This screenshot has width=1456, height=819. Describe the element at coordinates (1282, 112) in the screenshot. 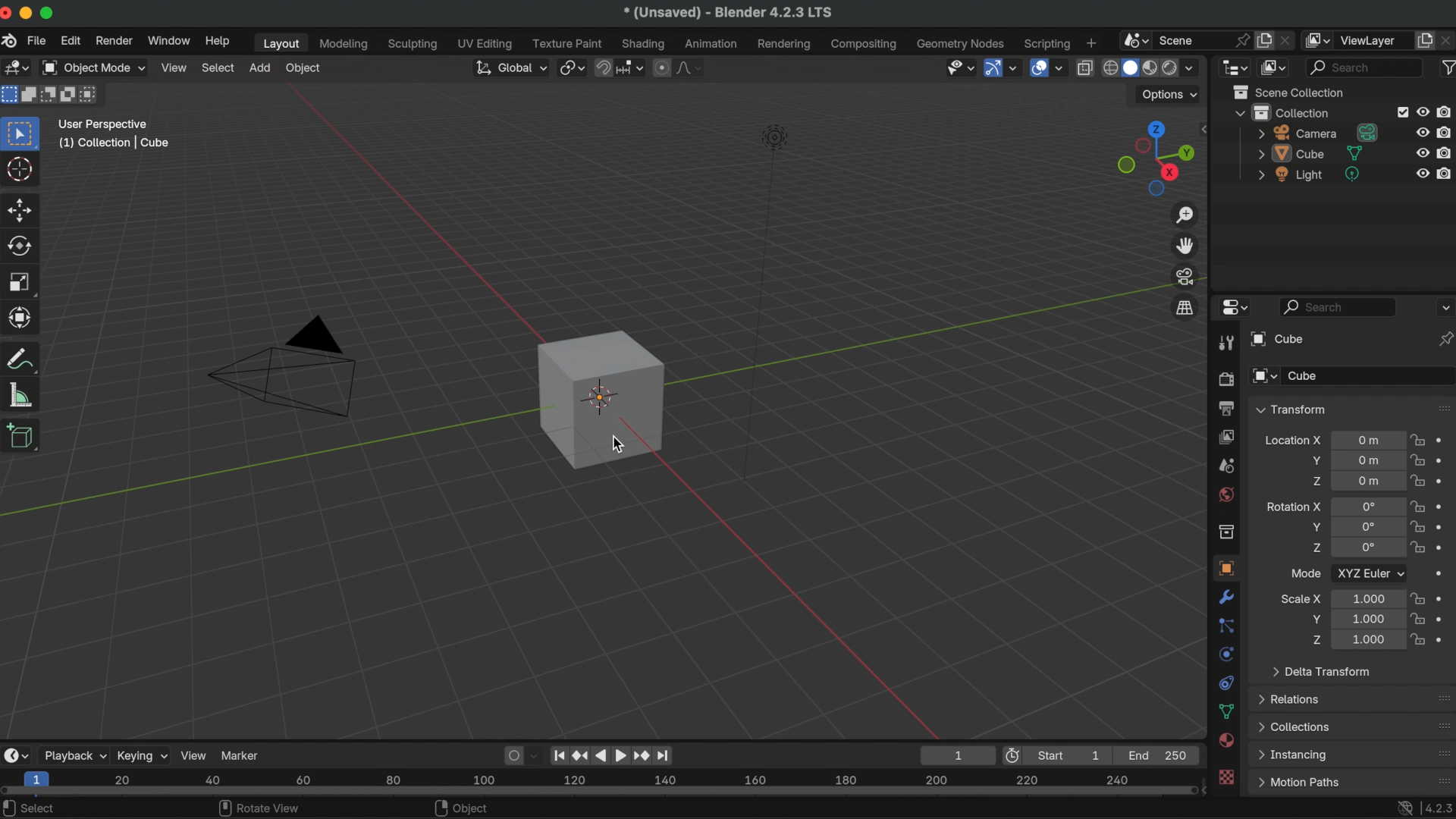

I see `collection` at that location.